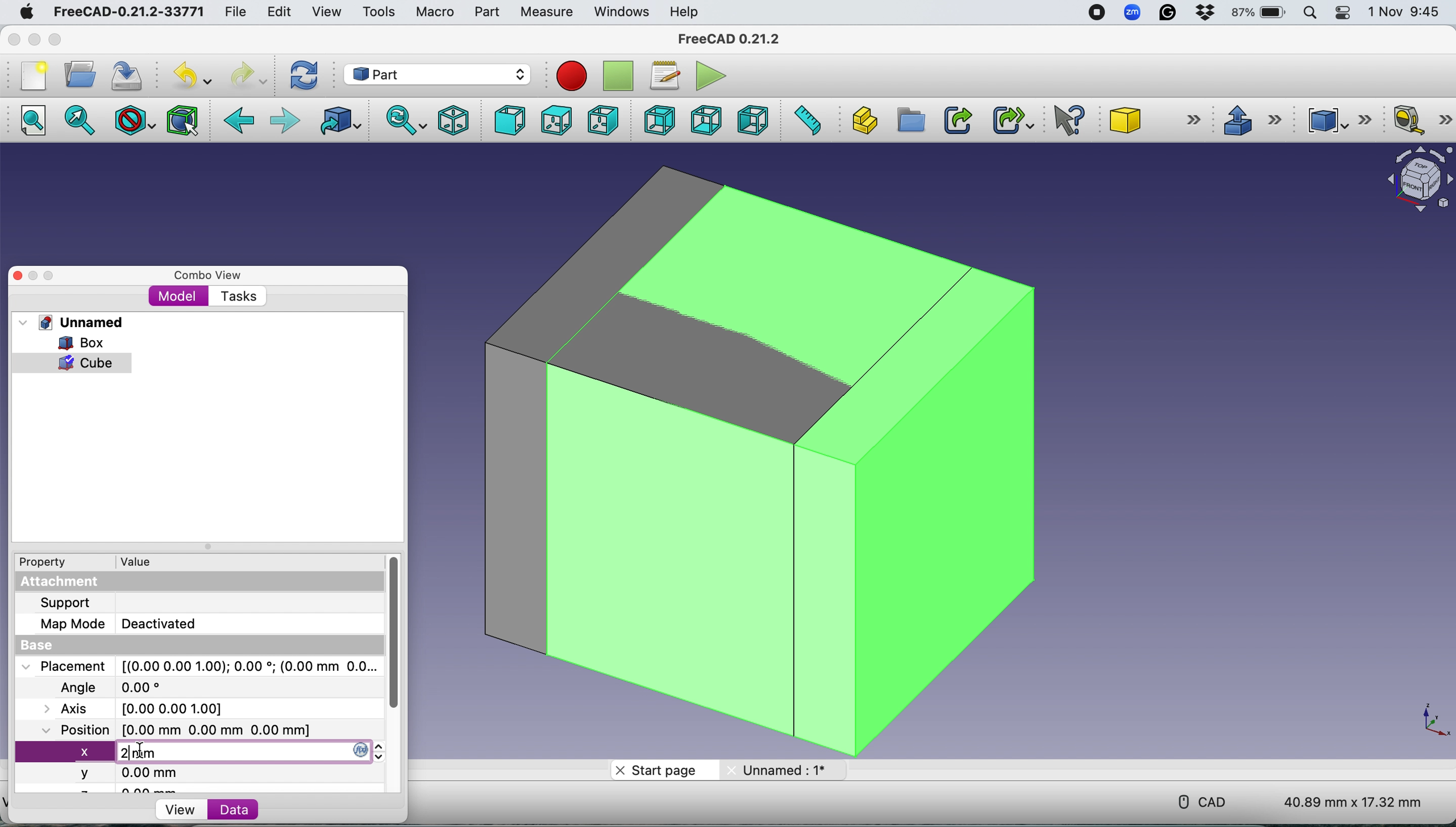  I want to click on Model, so click(178, 297).